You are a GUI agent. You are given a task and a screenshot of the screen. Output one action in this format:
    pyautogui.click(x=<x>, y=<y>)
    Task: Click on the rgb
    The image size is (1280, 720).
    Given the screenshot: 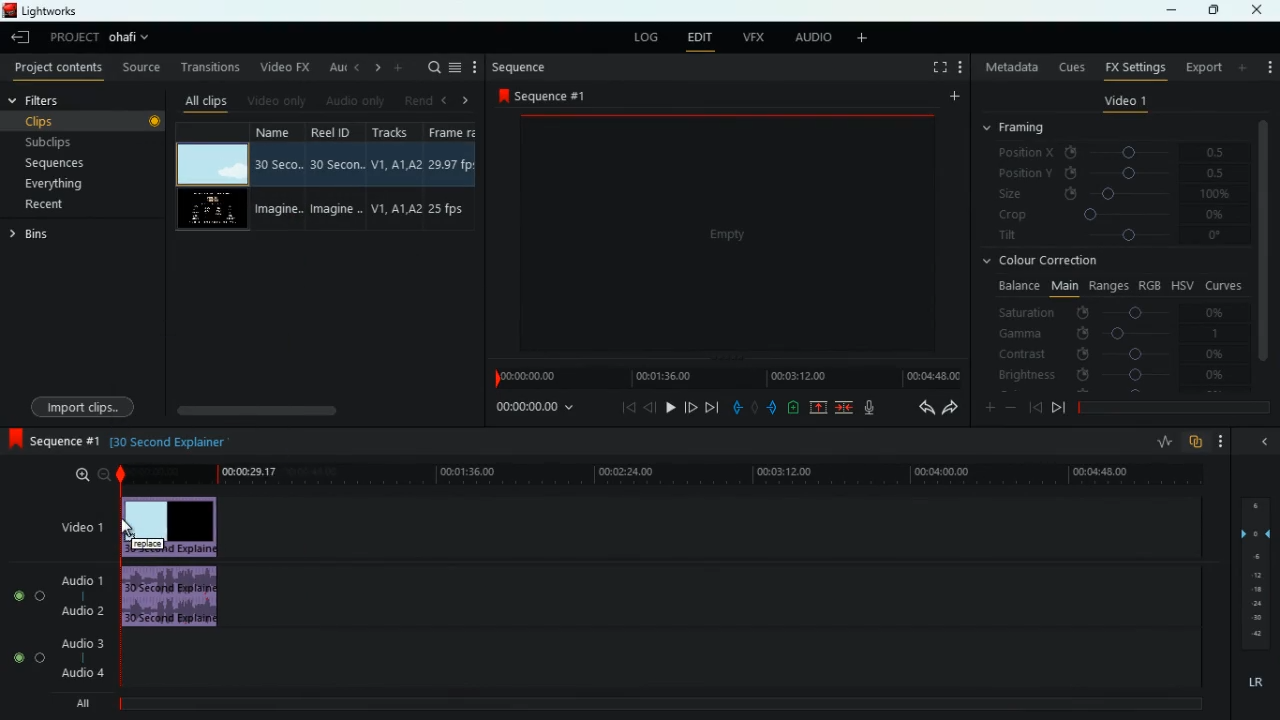 What is the action you would take?
    pyautogui.click(x=1151, y=284)
    